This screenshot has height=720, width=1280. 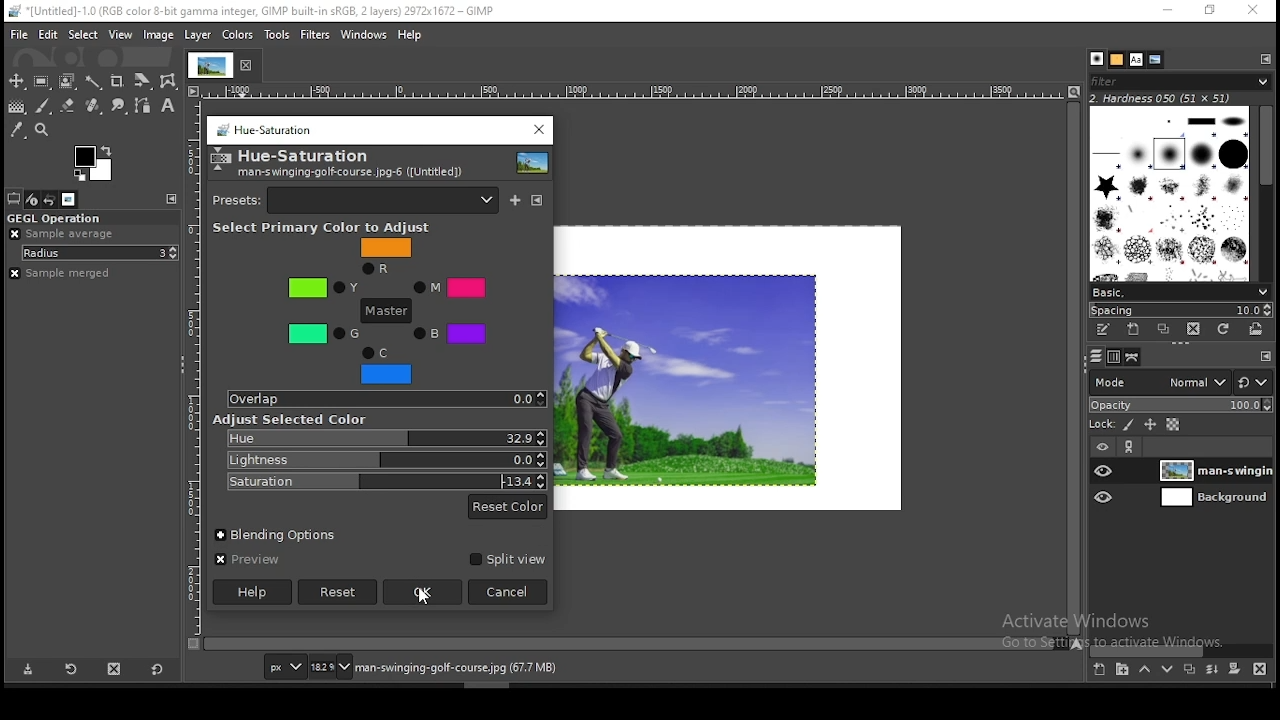 What do you see at coordinates (42, 82) in the screenshot?
I see `rectangular selection tool` at bounding box center [42, 82].